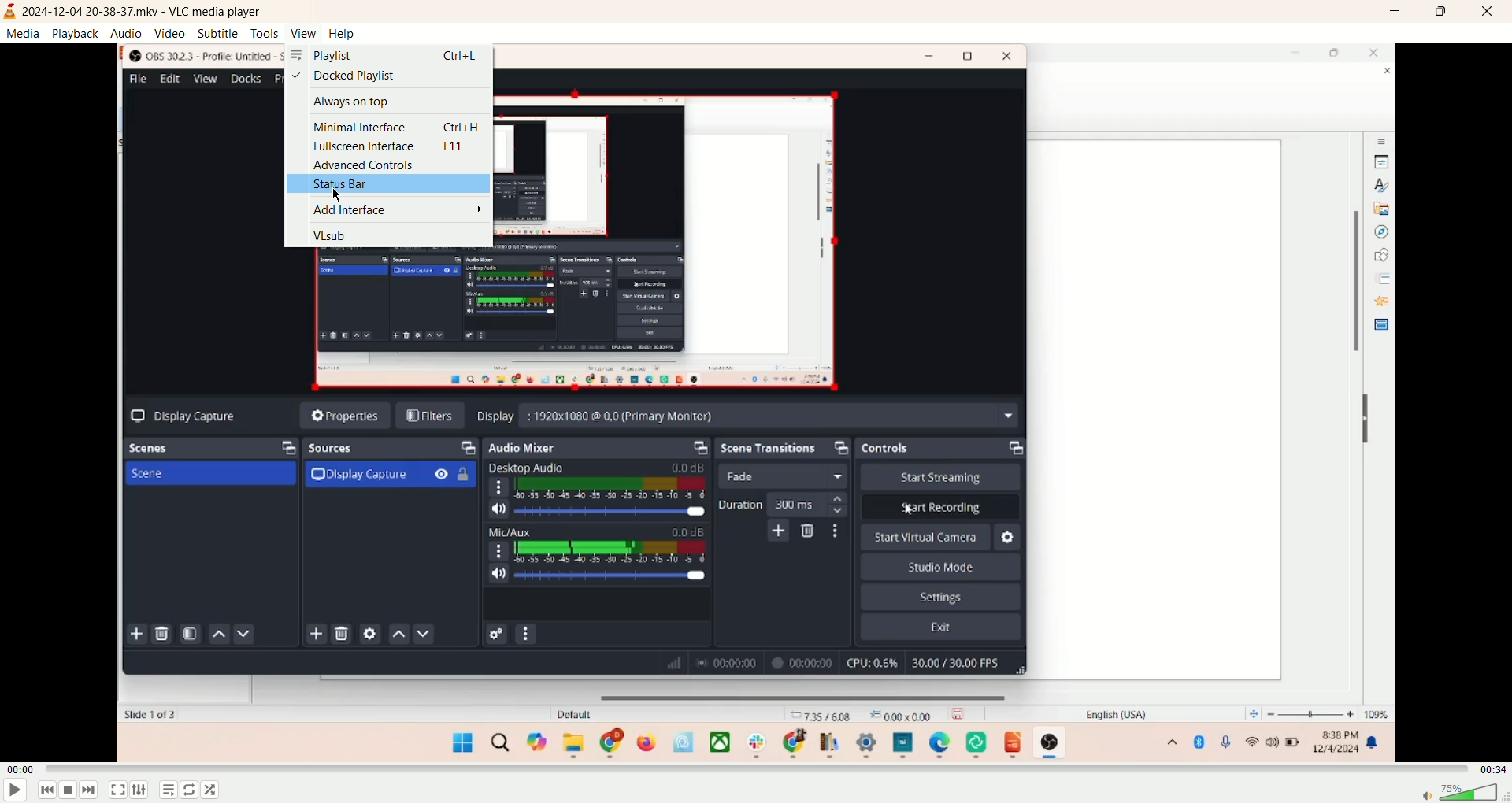  Describe the element at coordinates (1442, 13) in the screenshot. I see `maximize` at that location.